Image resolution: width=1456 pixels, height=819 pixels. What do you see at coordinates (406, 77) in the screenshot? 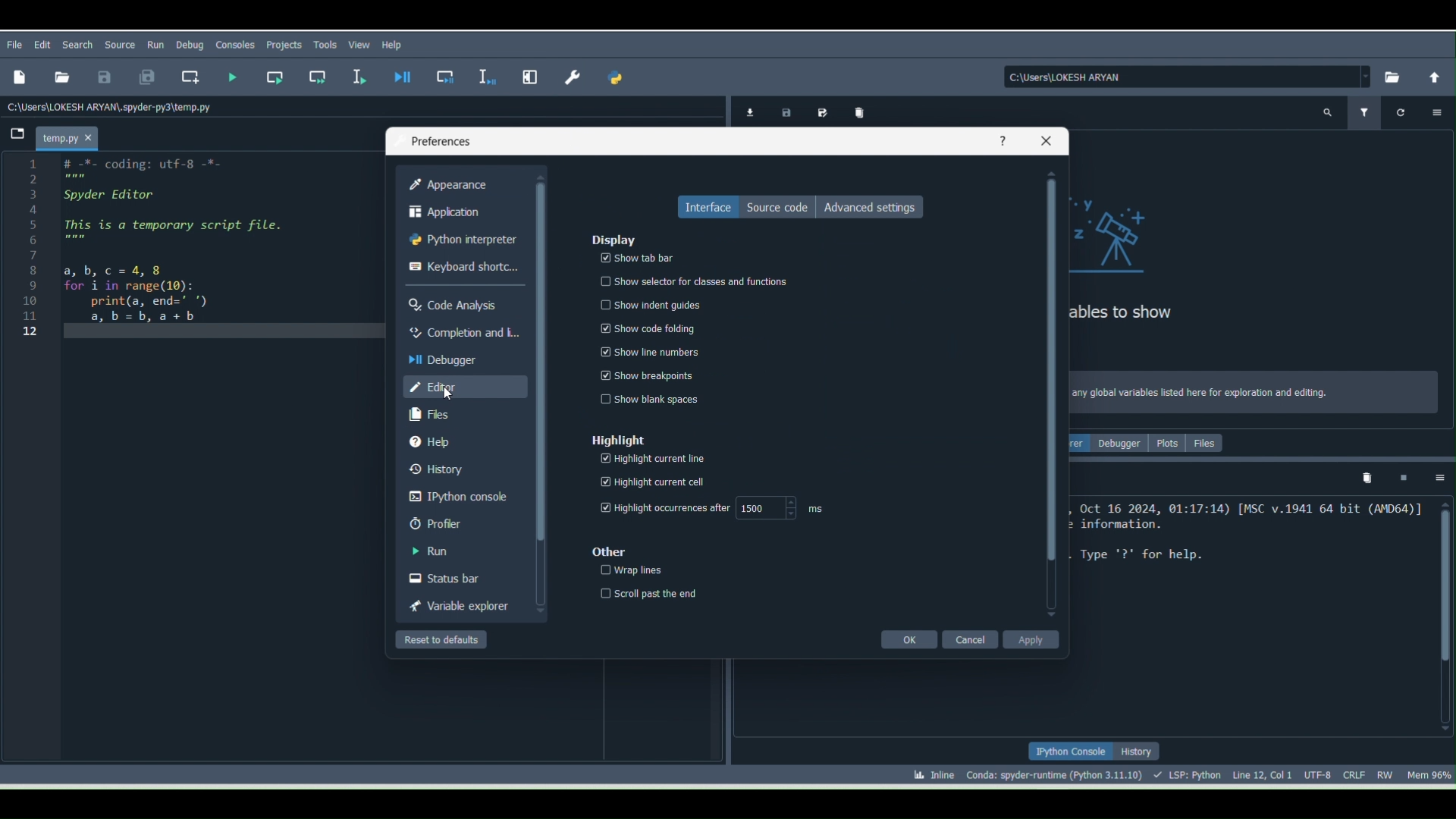
I see `Debug file (Ctrl + F5)` at bounding box center [406, 77].